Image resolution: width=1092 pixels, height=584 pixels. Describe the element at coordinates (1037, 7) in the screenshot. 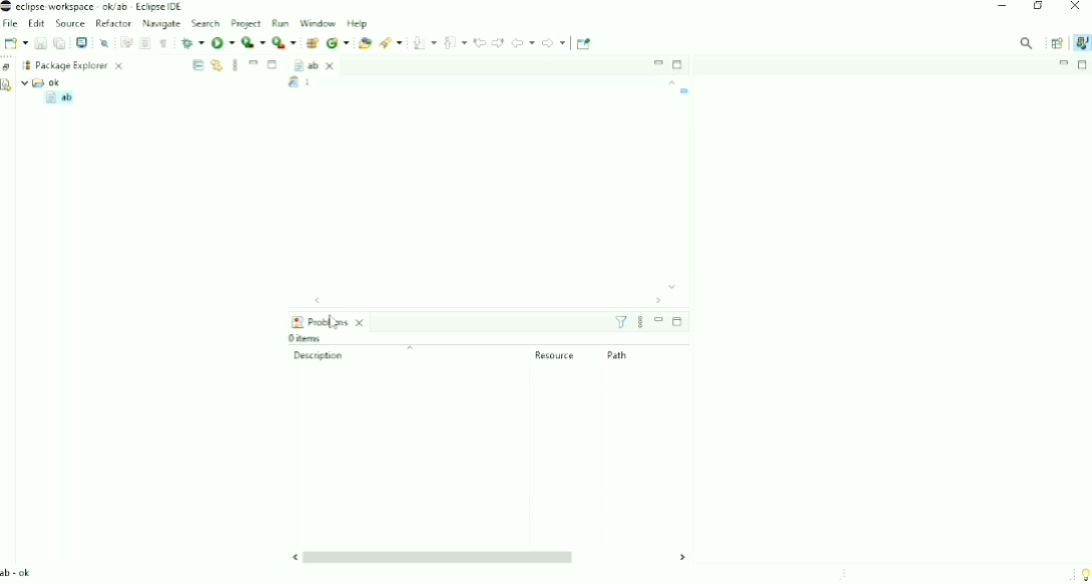

I see `Restore down` at that location.